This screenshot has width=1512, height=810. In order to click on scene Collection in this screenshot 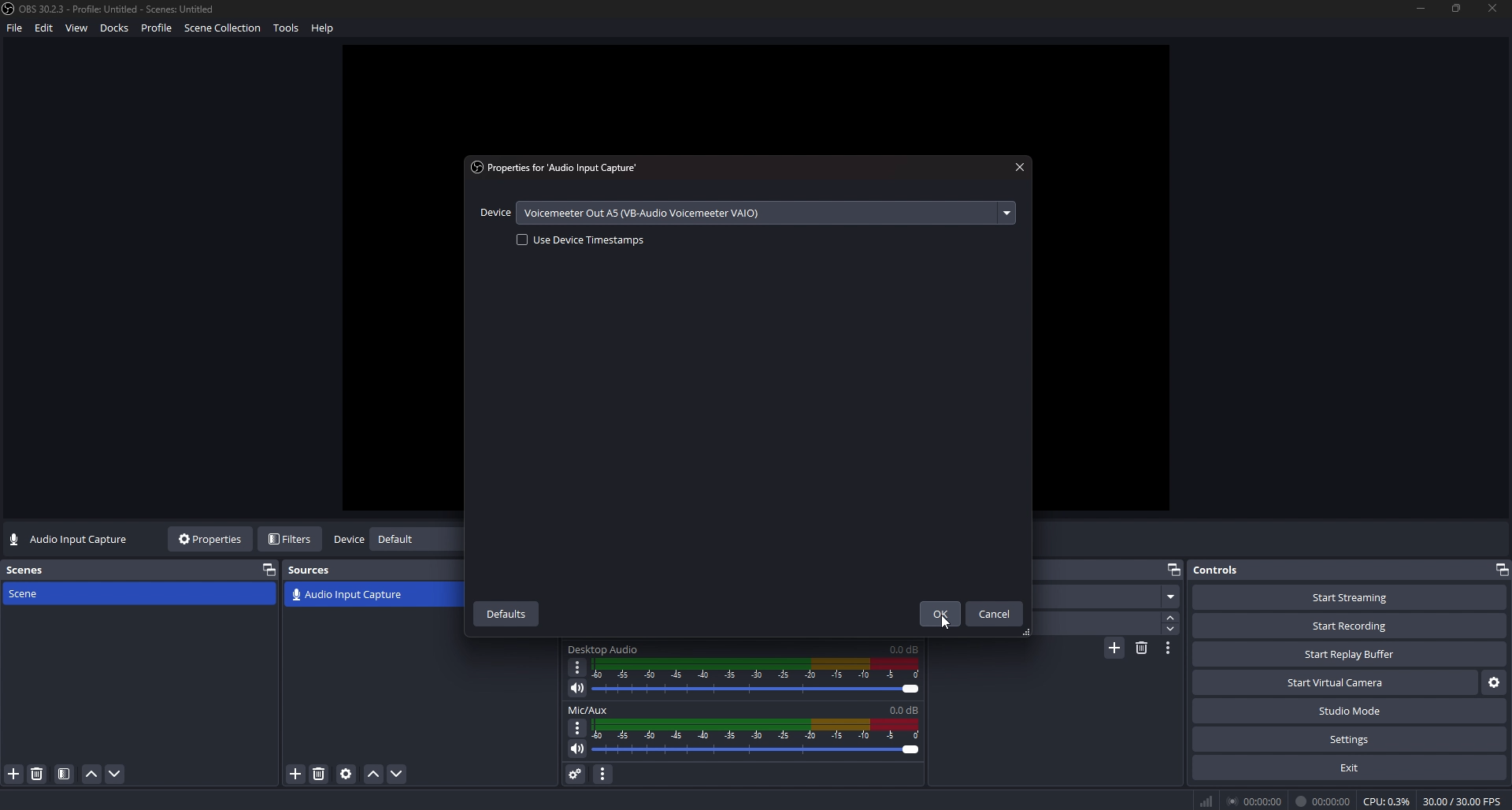, I will do `click(224, 30)`.